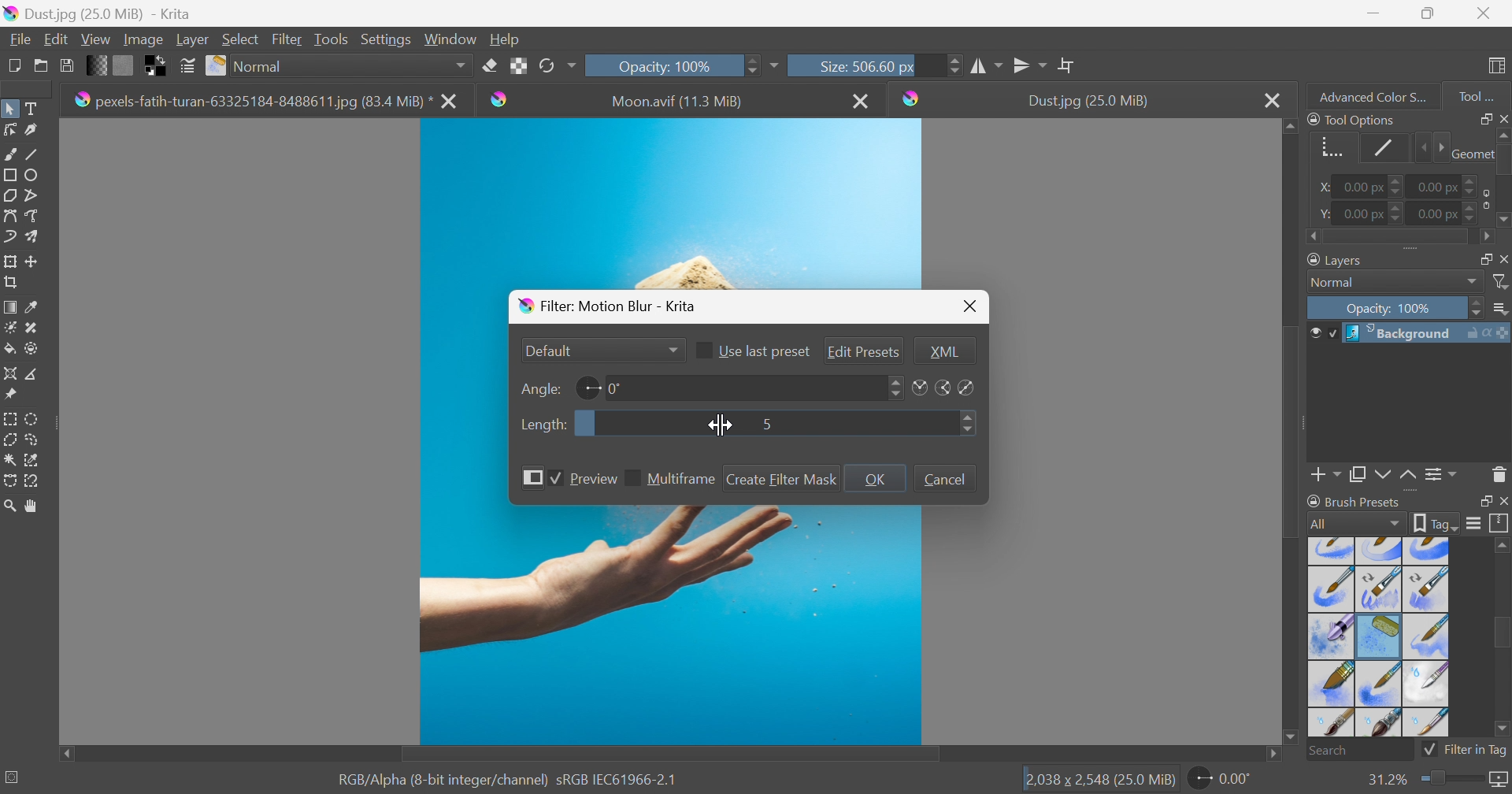 This screenshot has height=794, width=1512. Describe the element at coordinates (1088, 101) in the screenshot. I see `Dust.jpg (25.0 MB)` at that location.